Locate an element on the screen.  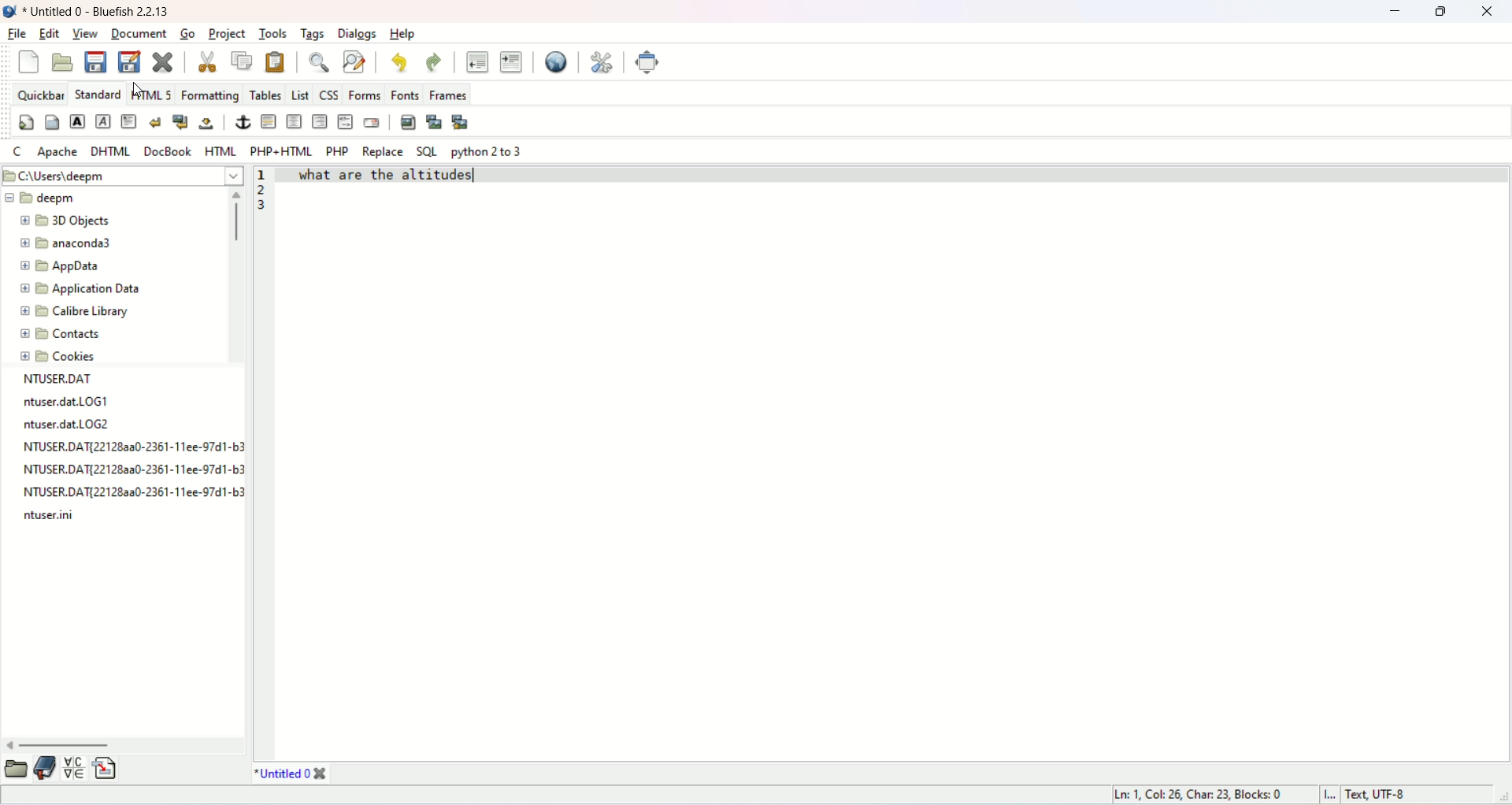
list is located at coordinates (299, 92).